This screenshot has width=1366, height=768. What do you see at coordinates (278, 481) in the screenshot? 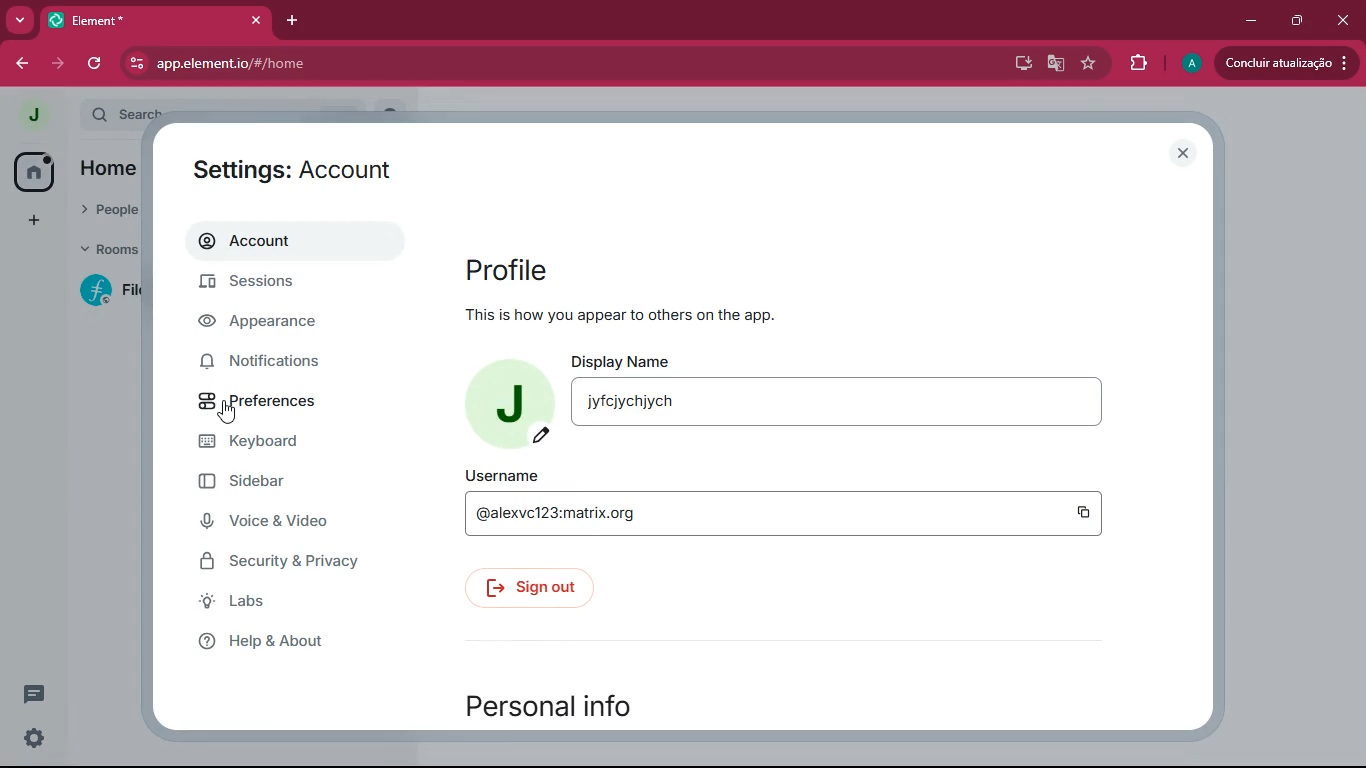
I see `sidebar` at bounding box center [278, 481].